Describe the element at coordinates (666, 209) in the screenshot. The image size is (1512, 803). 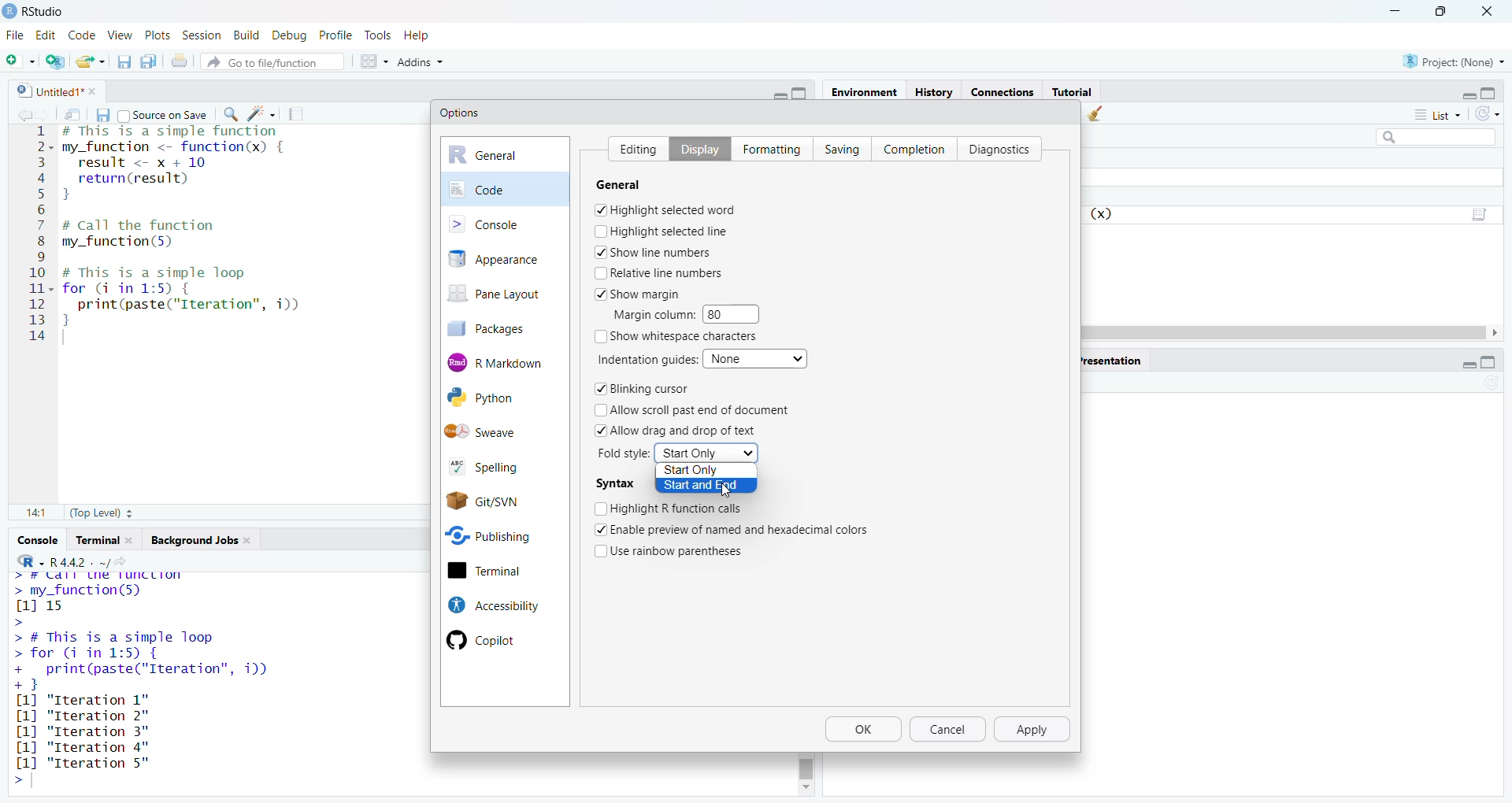
I see `highlight selected word` at that location.